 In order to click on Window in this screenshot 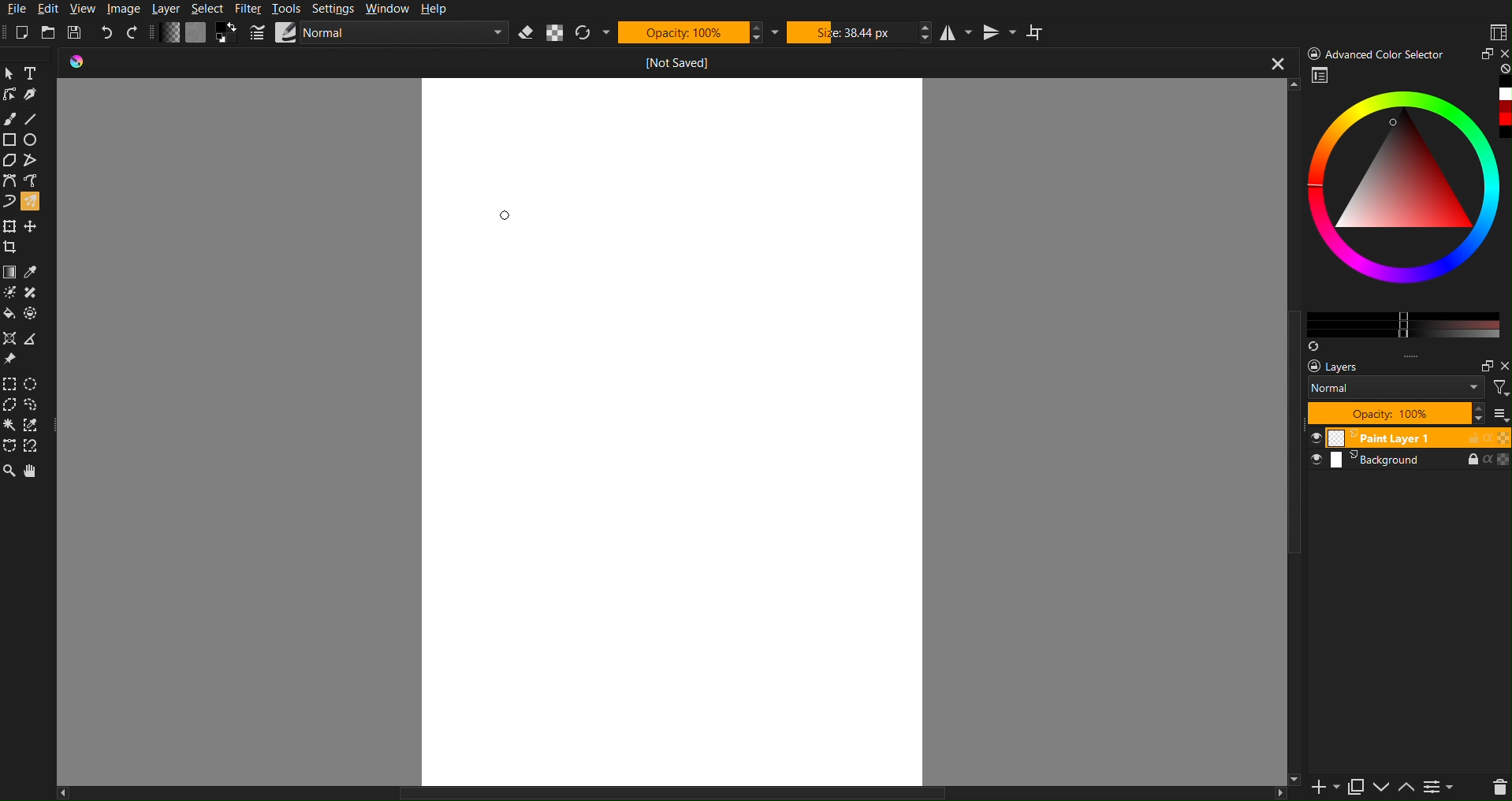, I will do `click(389, 9)`.